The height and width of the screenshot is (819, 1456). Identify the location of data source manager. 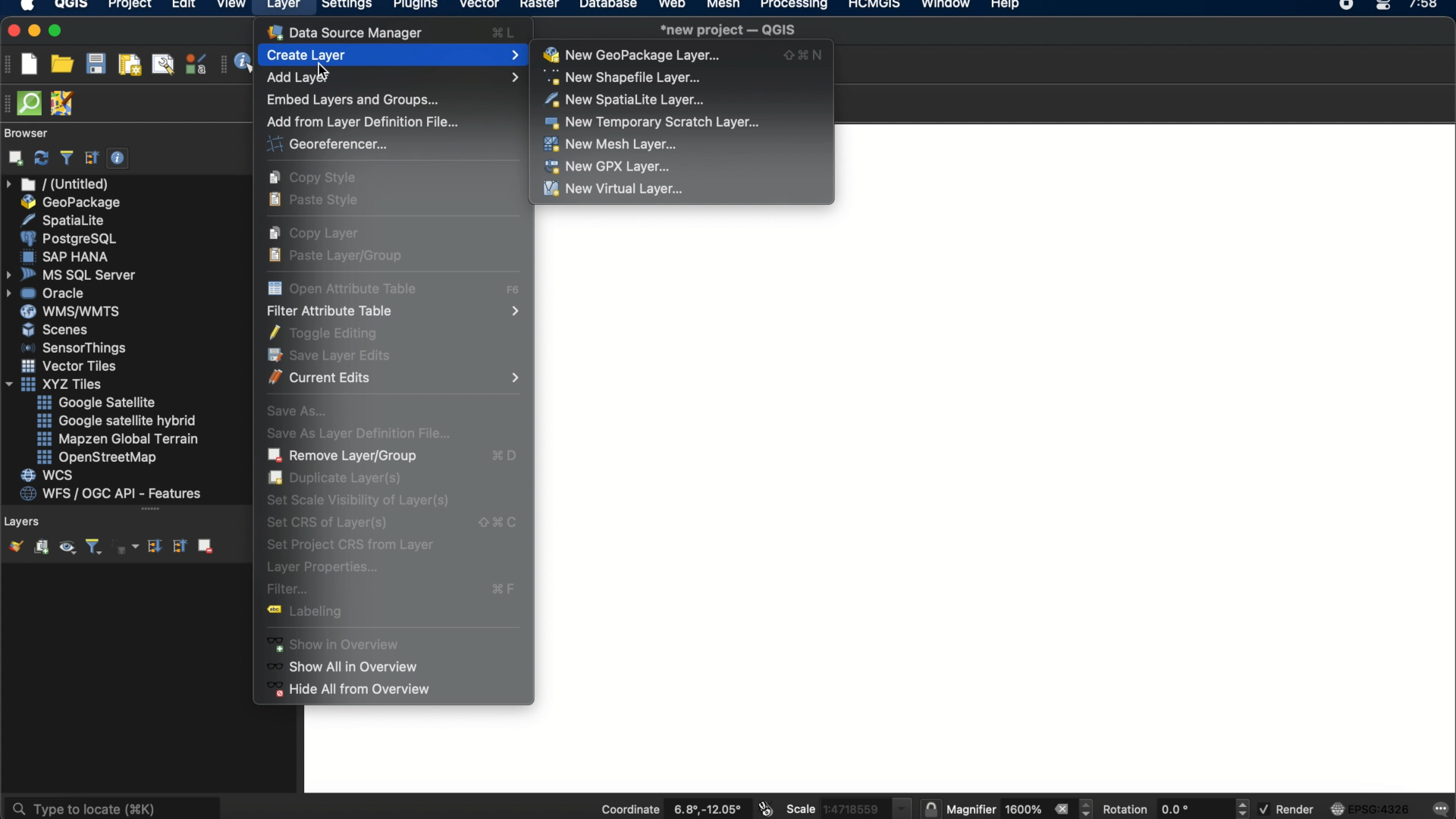
(390, 32).